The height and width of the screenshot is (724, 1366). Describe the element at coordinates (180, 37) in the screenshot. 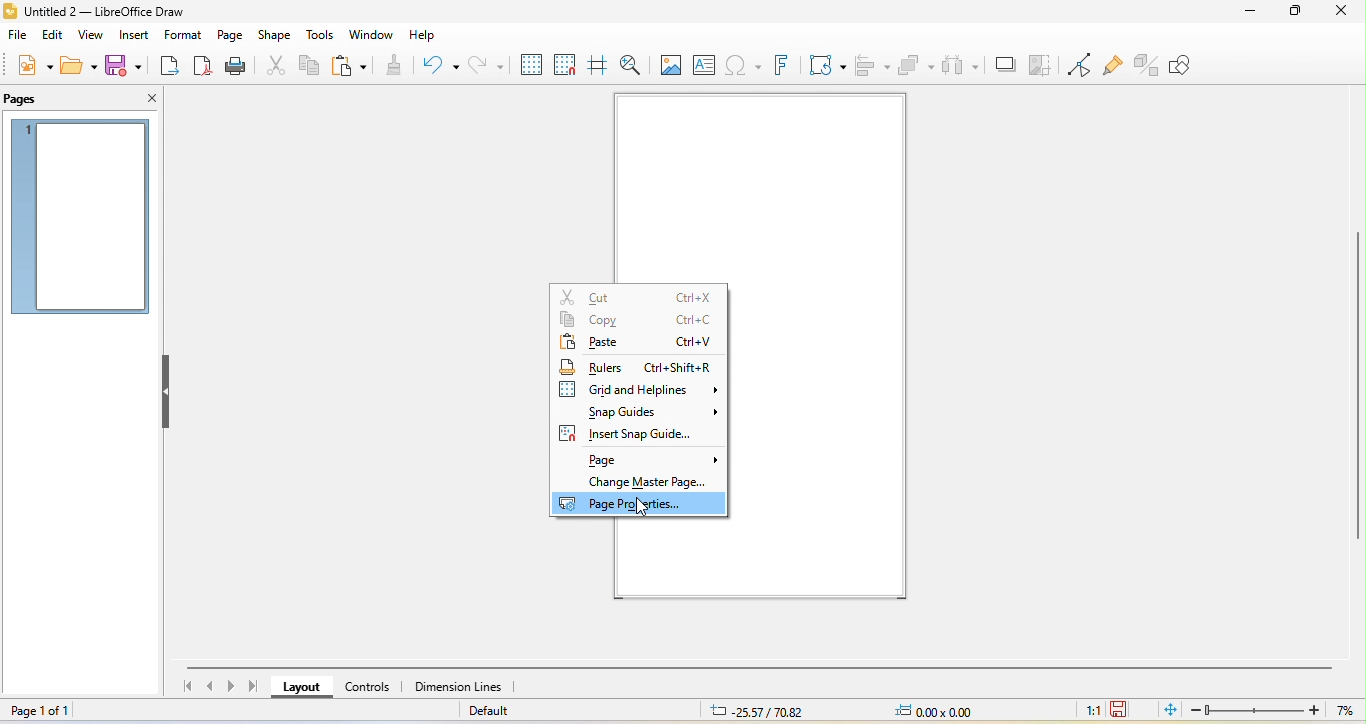

I see `format` at that location.